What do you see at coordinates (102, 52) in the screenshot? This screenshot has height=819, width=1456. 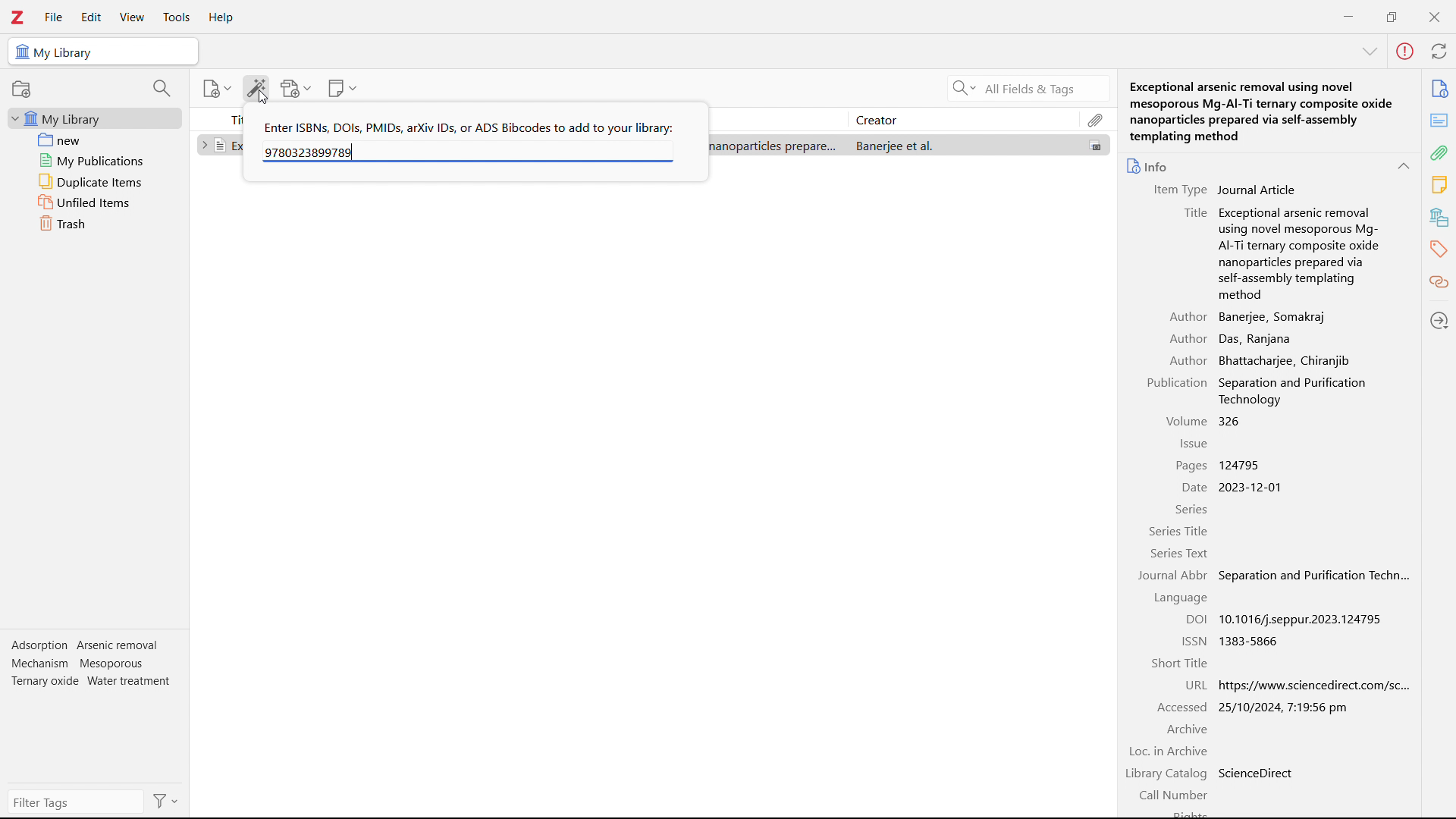 I see `selected library` at bounding box center [102, 52].